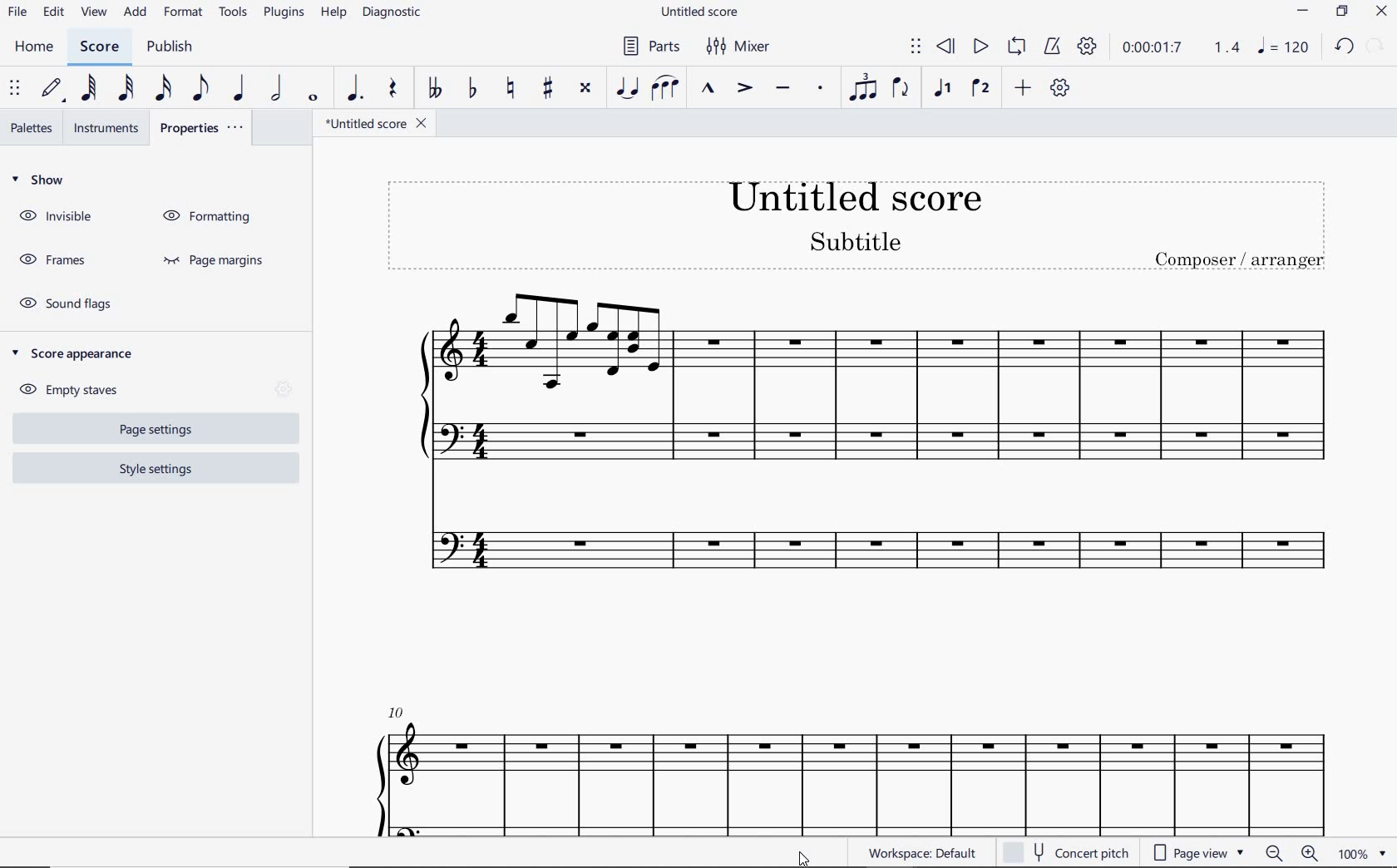 Image resolution: width=1397 pixels, height=868 pixels. Describe the element at coordinates (333, 12) in the screenshot. I see `HELP` at that location.